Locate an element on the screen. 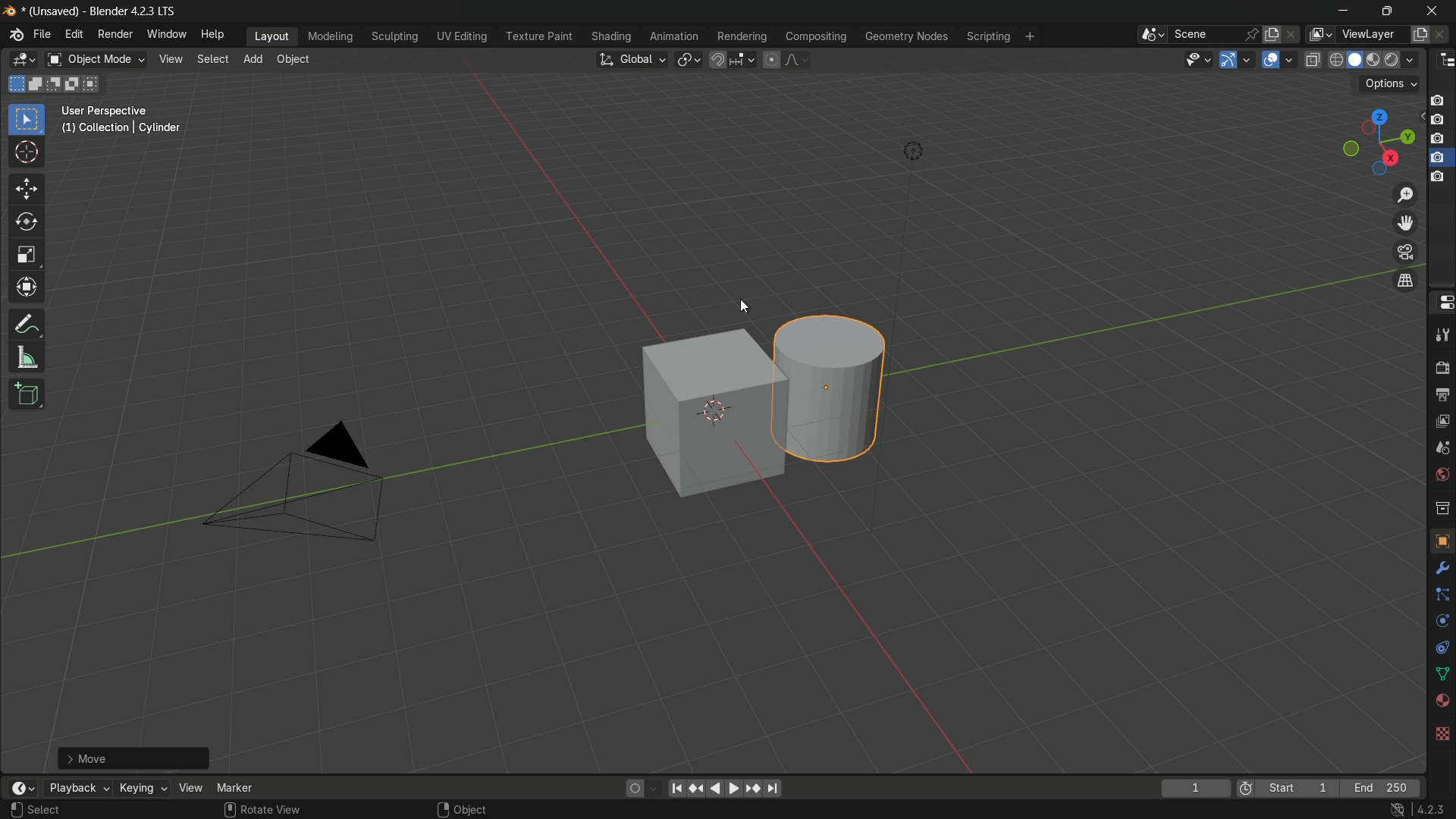 Image resolution: width=1456 pixels, height=819 pixels. shape is located at coordinates (1438, 672).